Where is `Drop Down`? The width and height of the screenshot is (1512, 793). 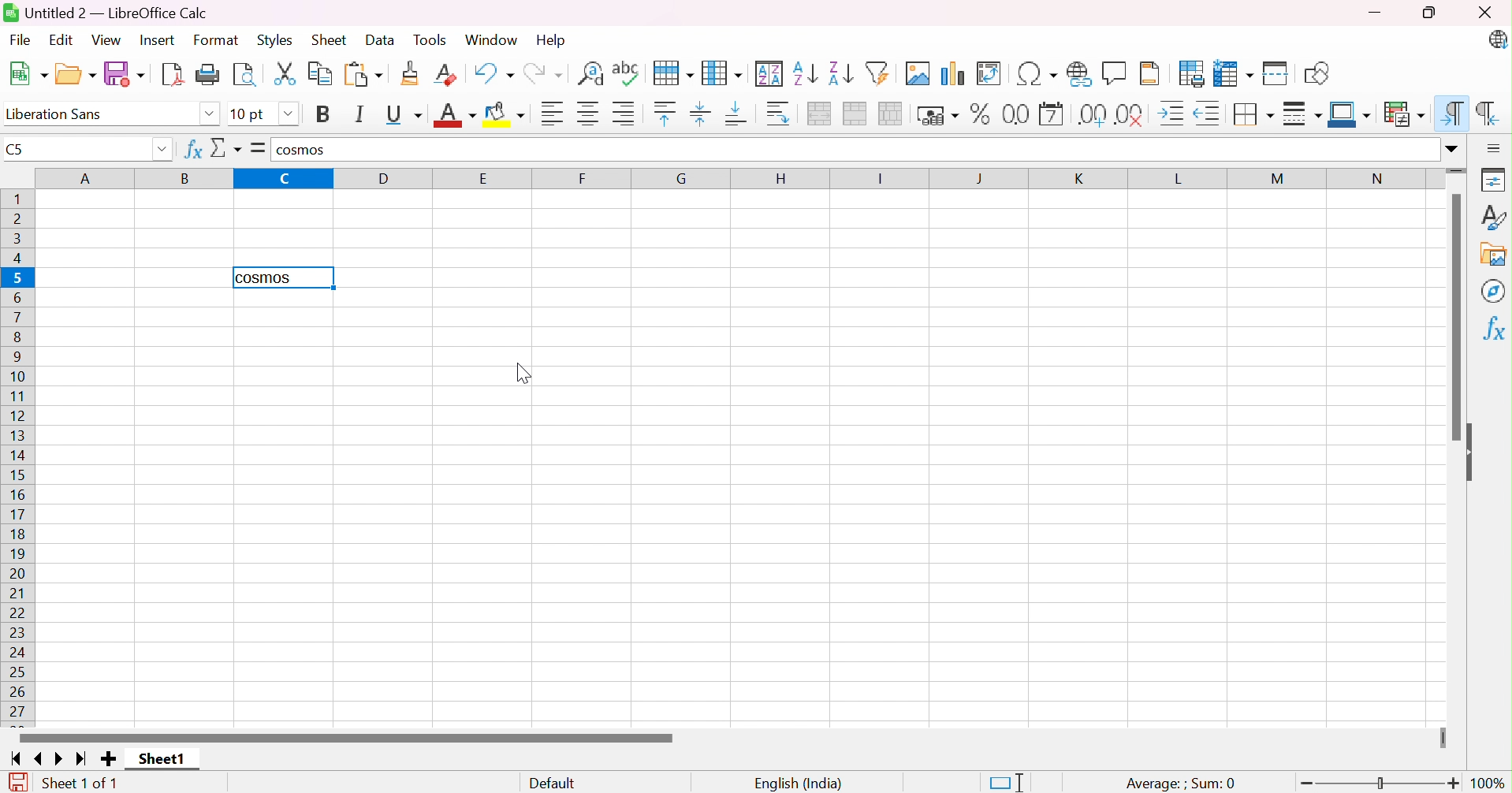 Drop Down is located at coordinates (288, 114).